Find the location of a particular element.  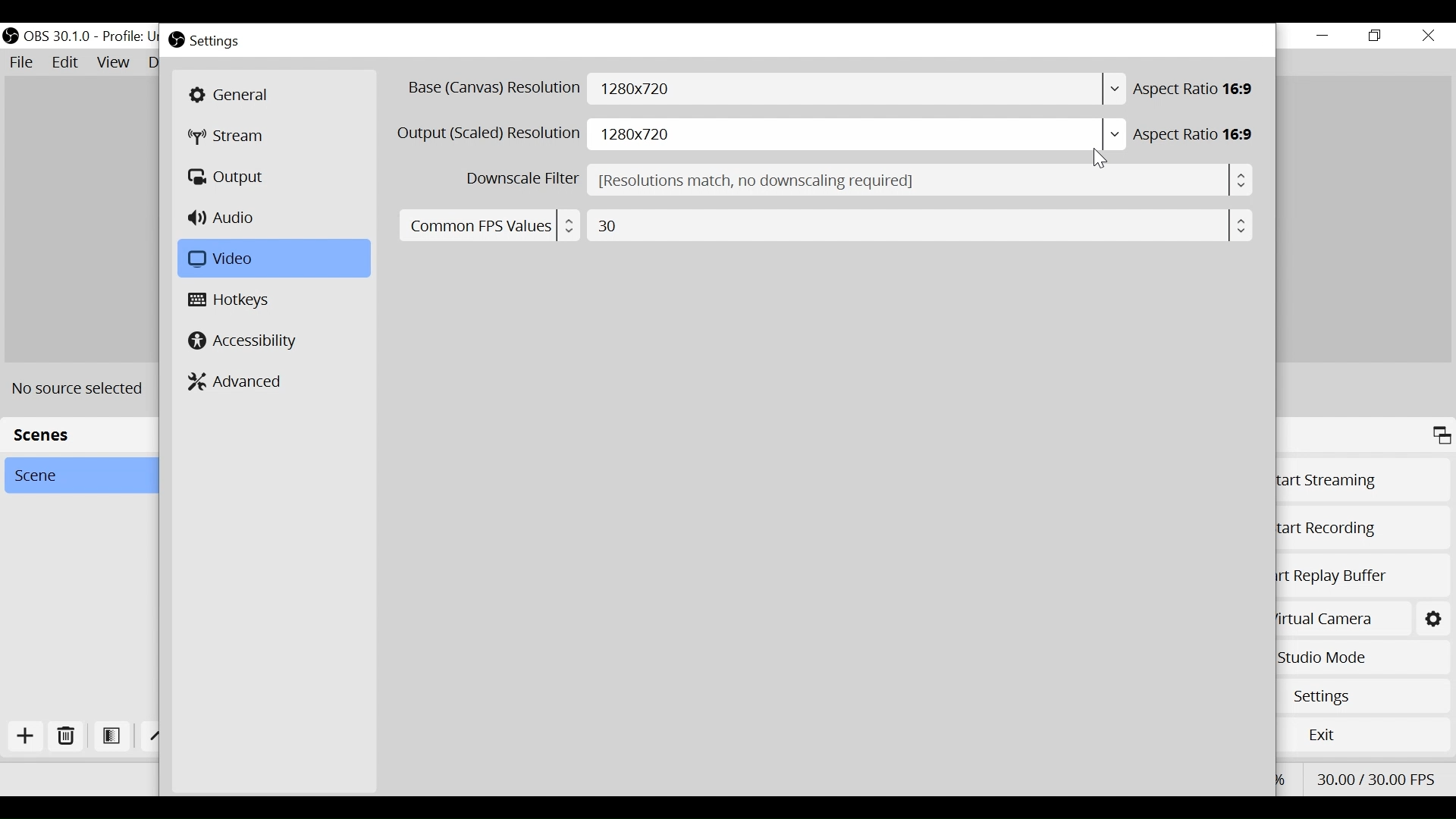

Settings is located at coordinates (1432, 617).